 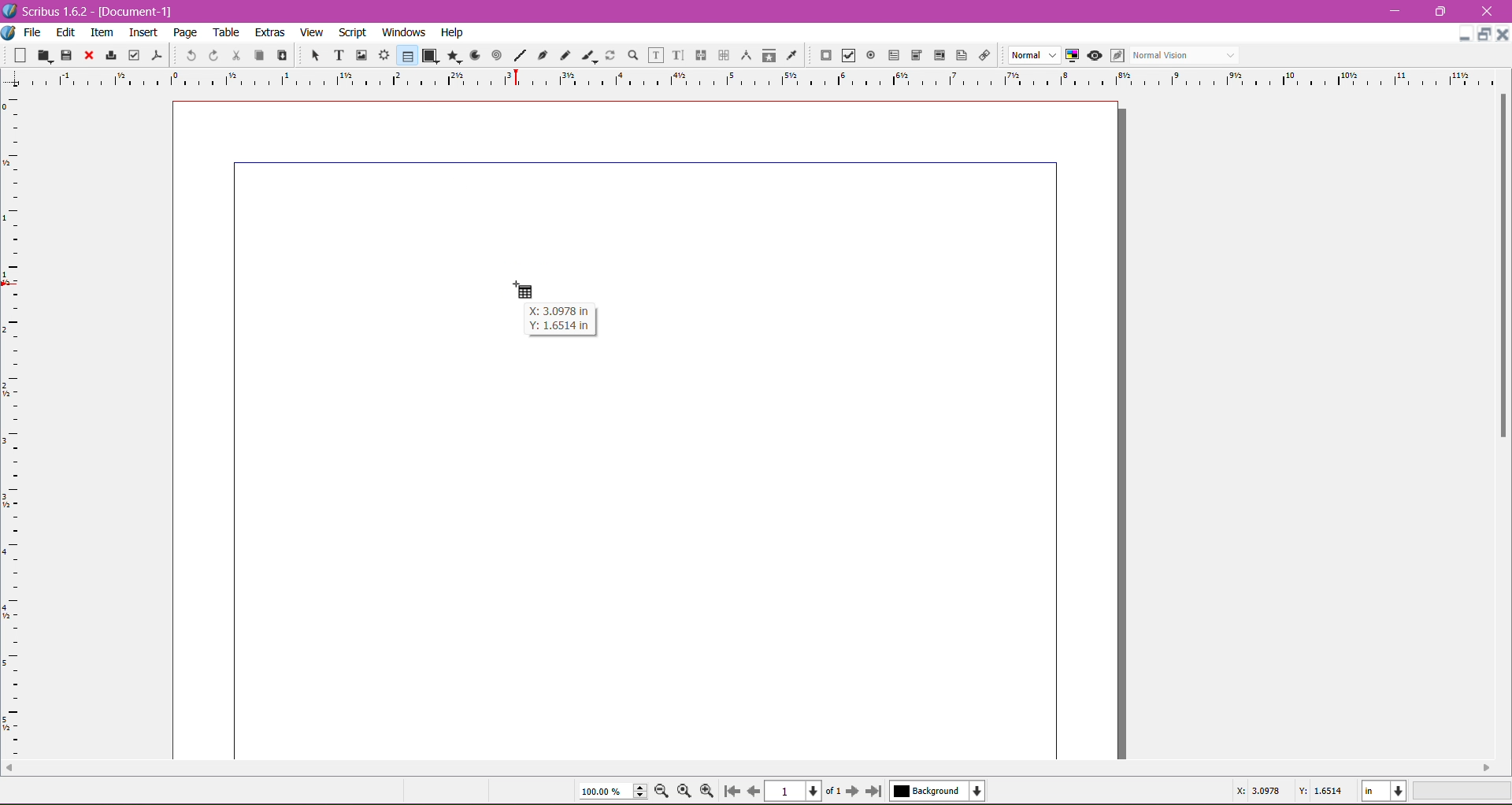 I want to click on PDF combo box, so click(x=913, y=56).